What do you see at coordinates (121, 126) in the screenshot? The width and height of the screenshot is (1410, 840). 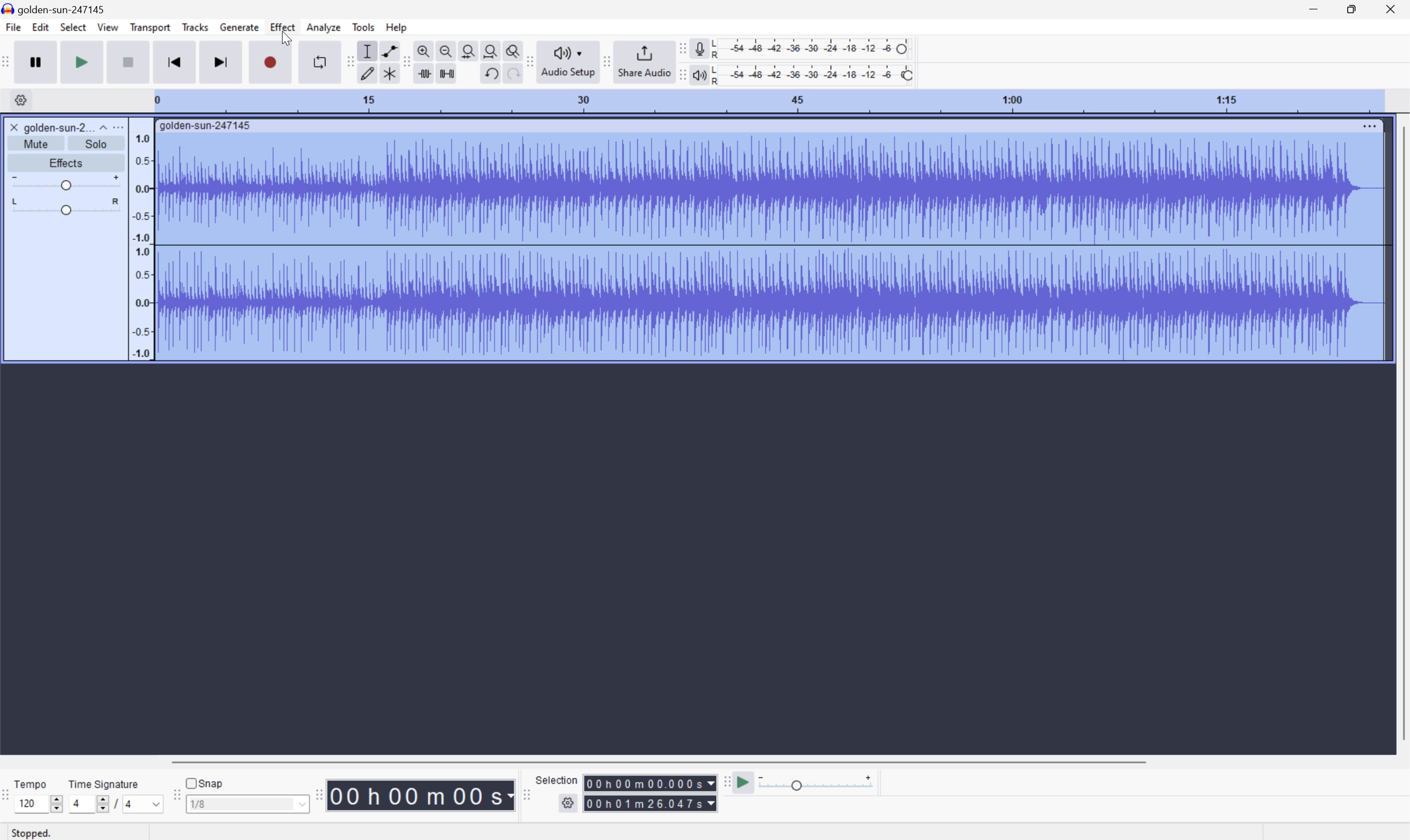 I see `More` at bounding box center [121, 126].